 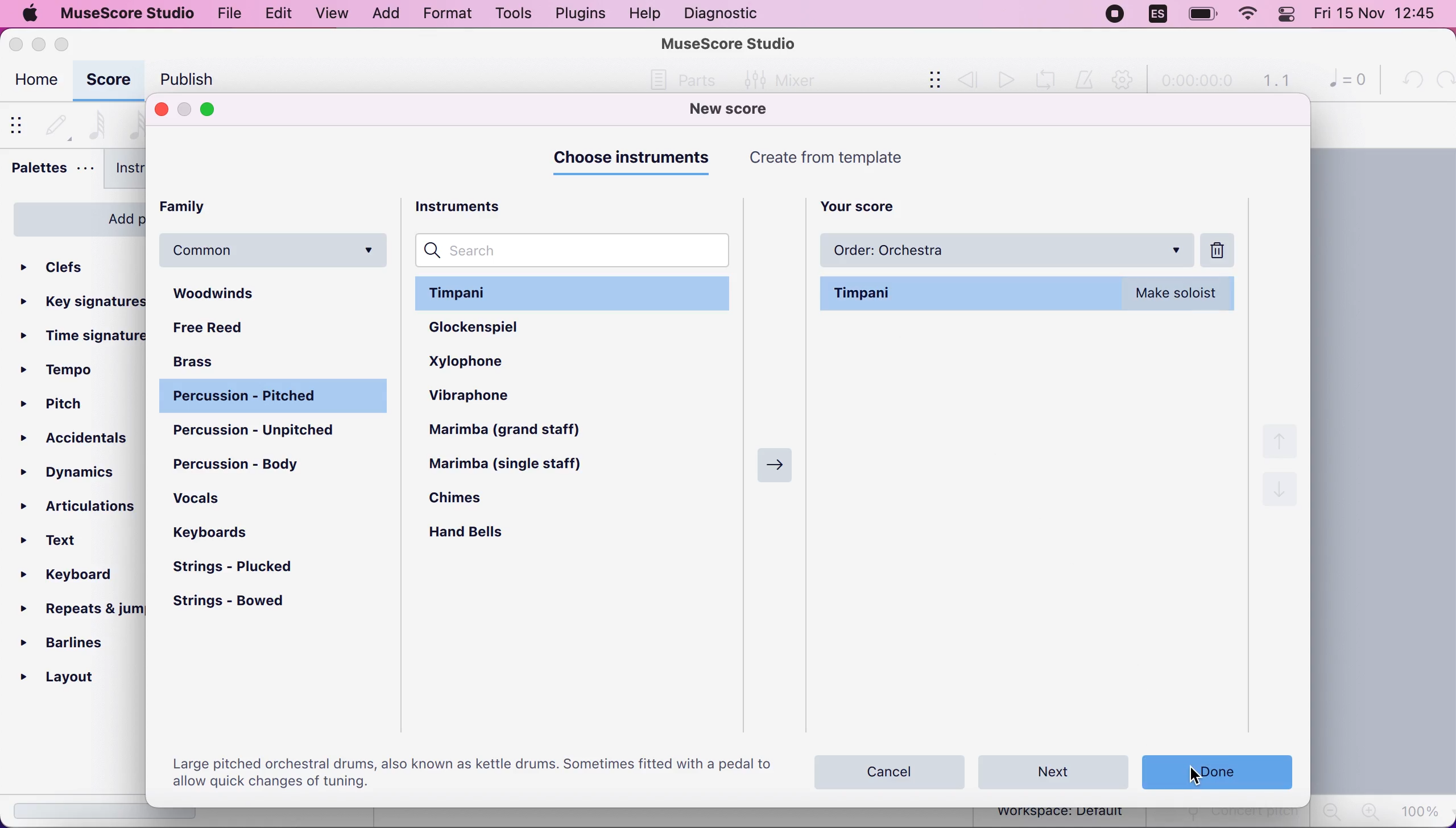 I want to click on percussion - pitched, so click(x=271, y=397).